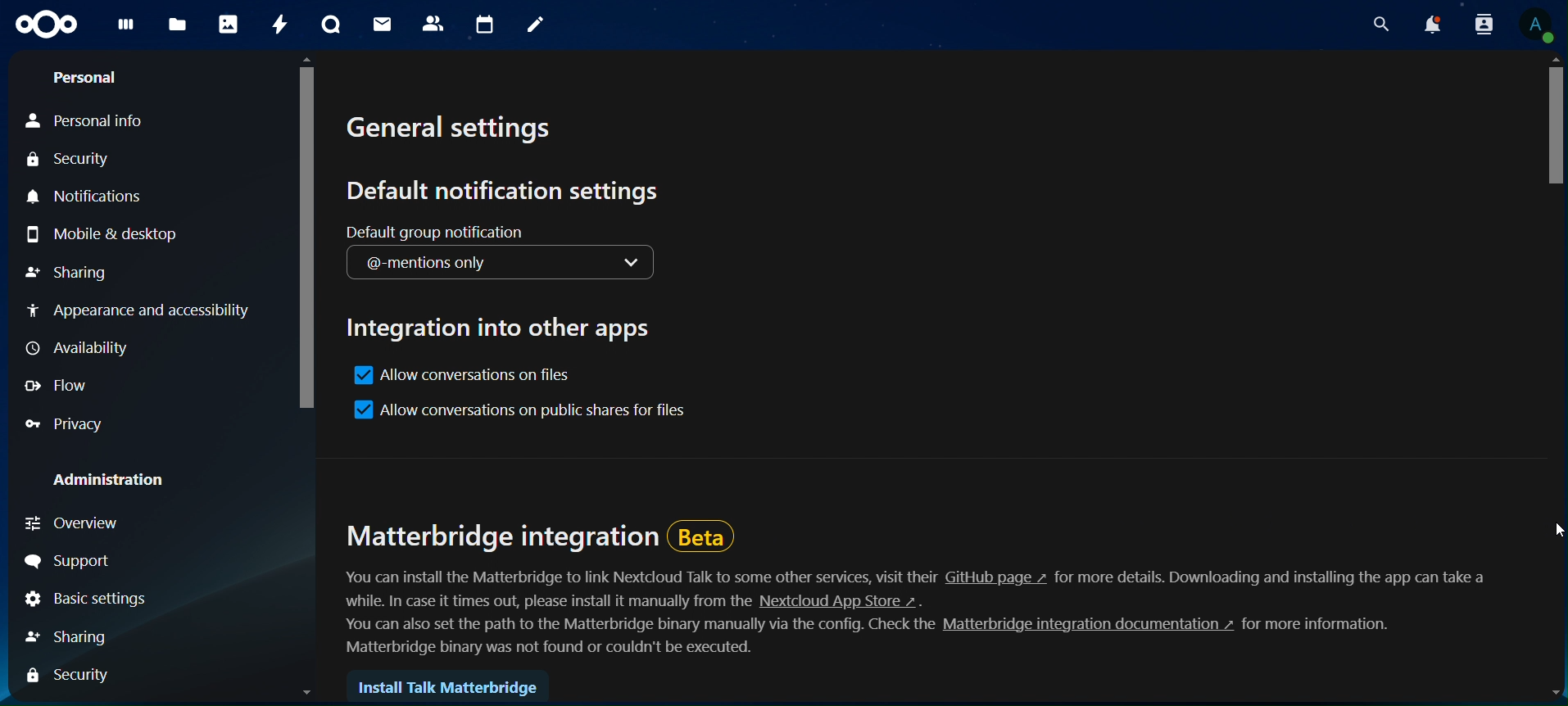 The height and width of the screenshot is (706, 1568). What do you see at coordinates (383, 25) in the screenshot?
I see `mail` at bounding box center [383, 25].